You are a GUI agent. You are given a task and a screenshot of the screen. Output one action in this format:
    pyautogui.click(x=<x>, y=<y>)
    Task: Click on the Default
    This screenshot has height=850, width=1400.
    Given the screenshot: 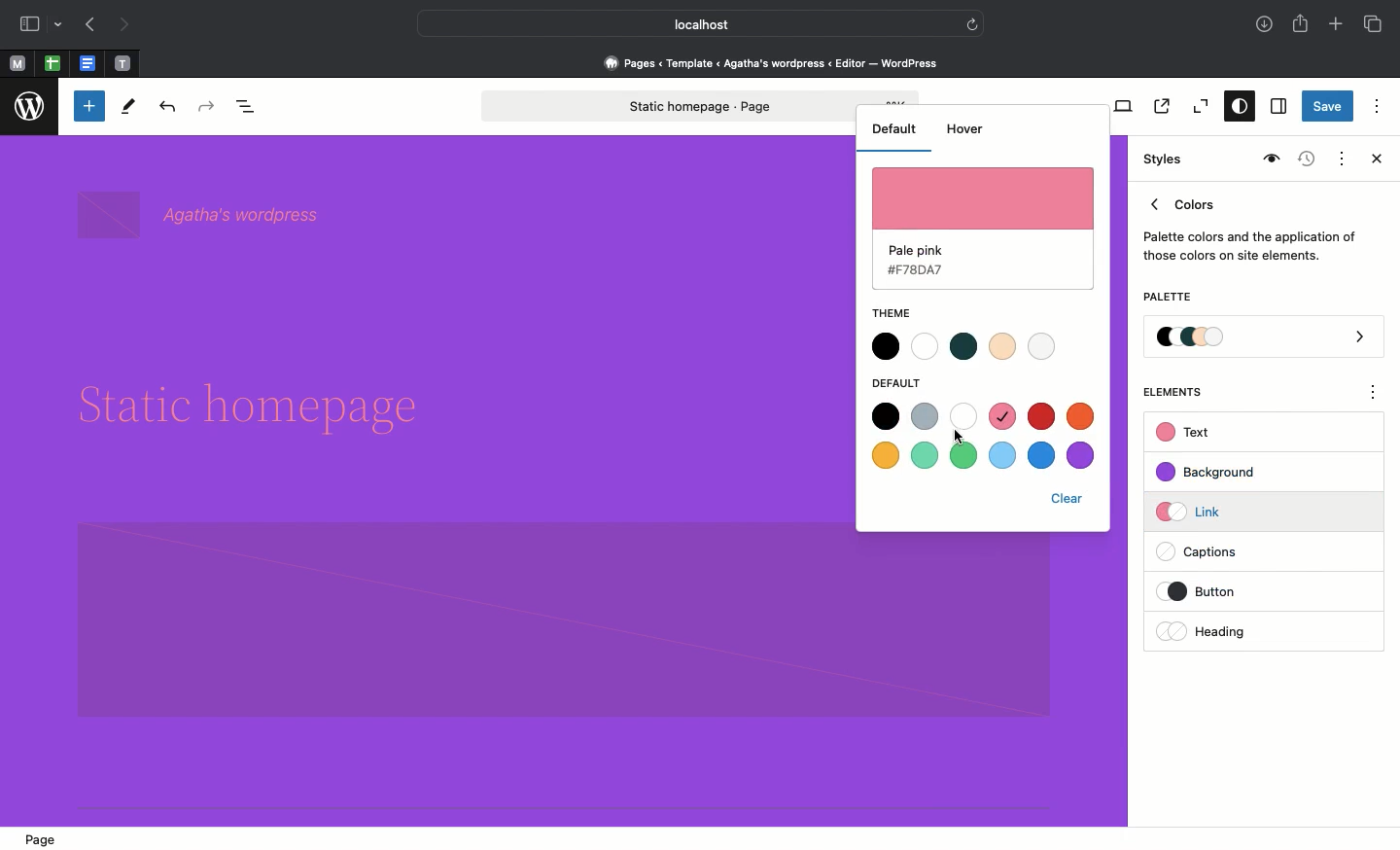 What is the action you would take?
    pyautogui.click(x=892, y=127)
    